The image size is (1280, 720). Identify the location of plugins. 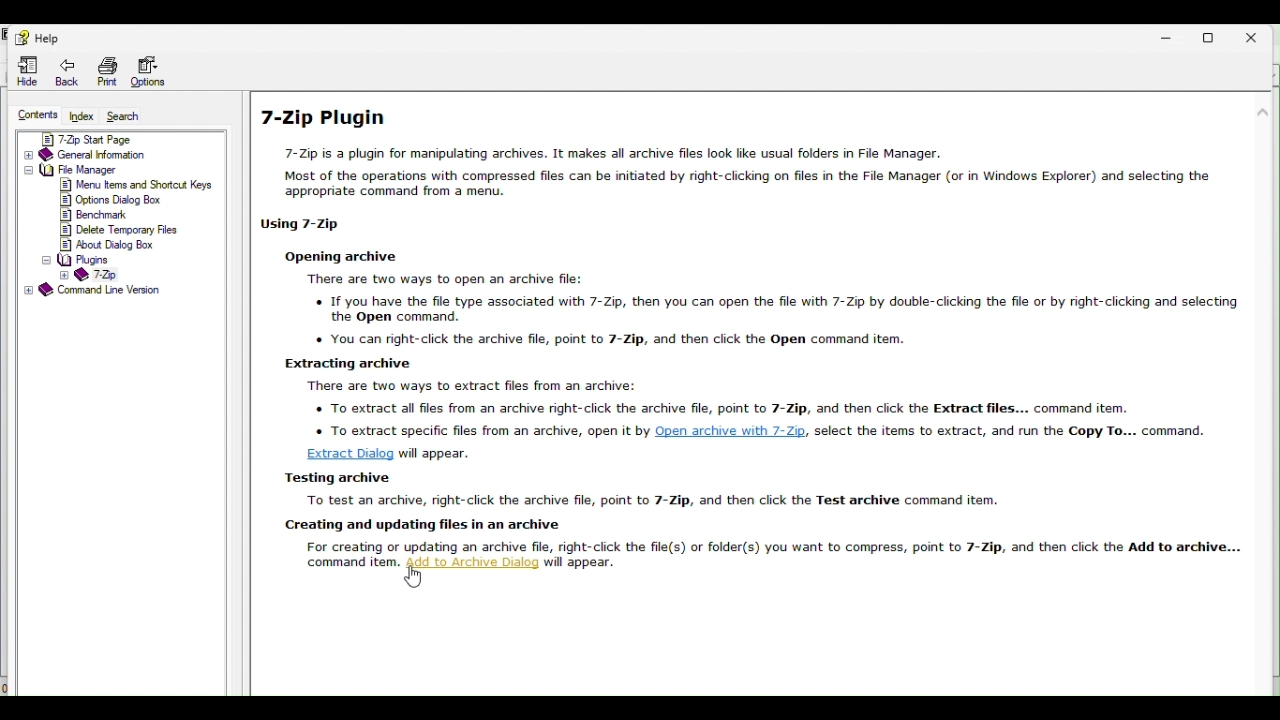
(76, 261).